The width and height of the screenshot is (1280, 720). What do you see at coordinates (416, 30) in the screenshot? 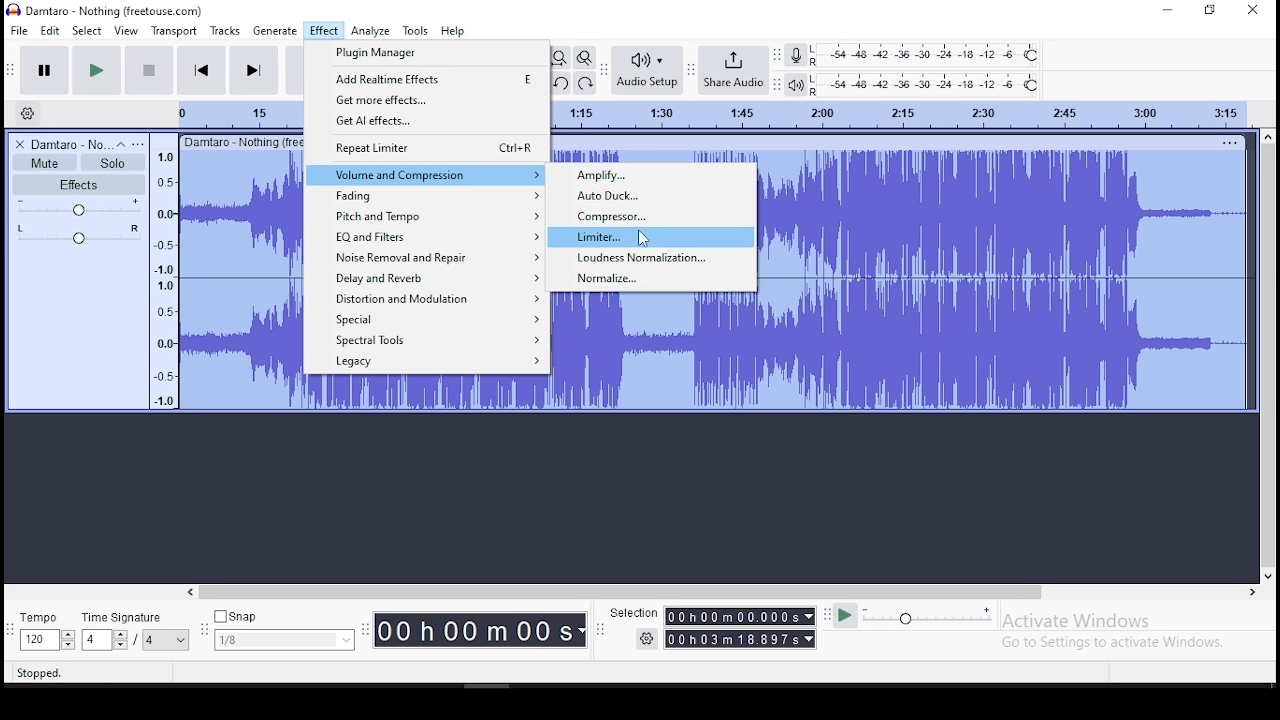
I see `tools` at bounding box center [416, 30].